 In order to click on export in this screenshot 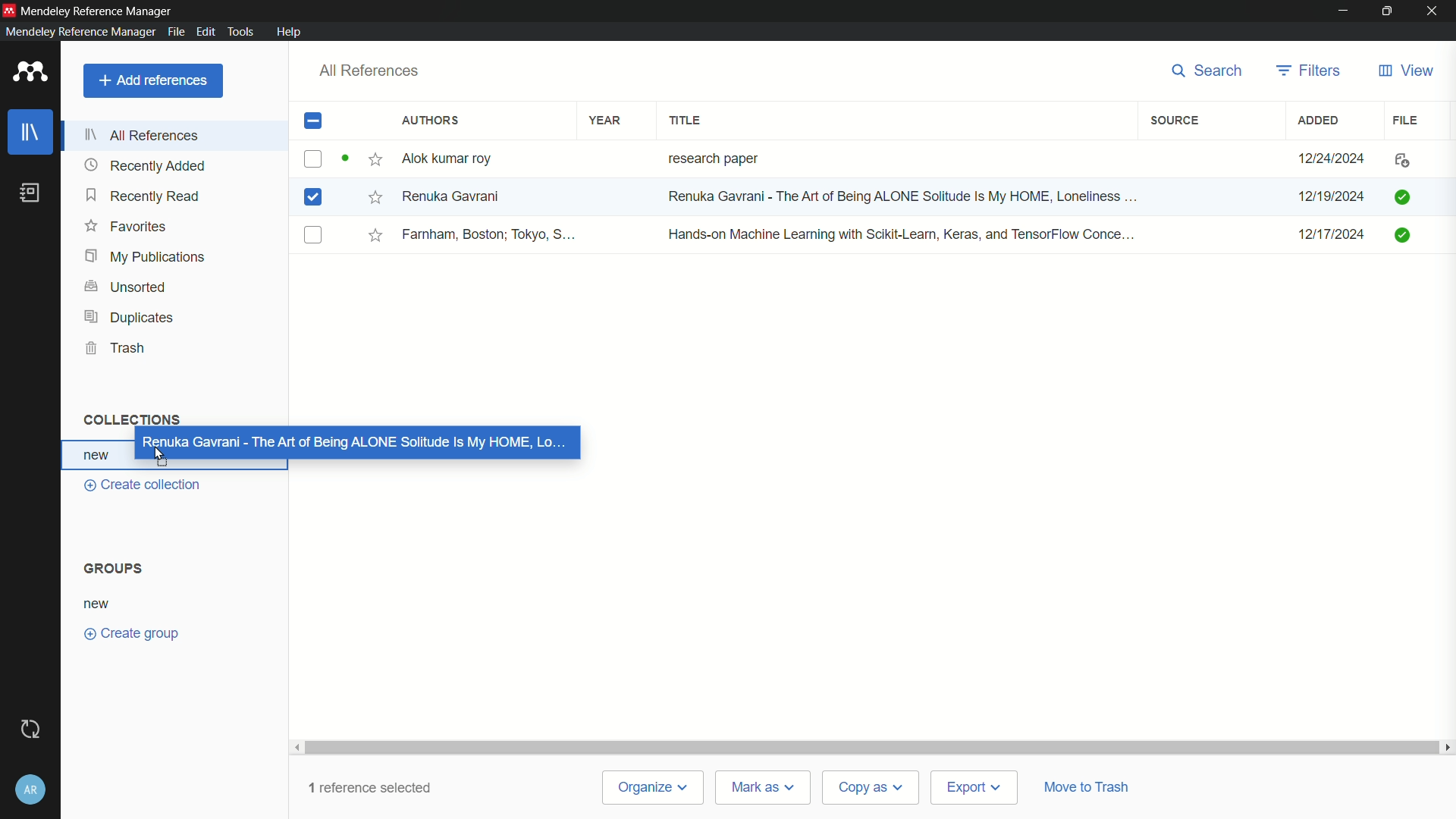, I will do `click(977, 787)`.